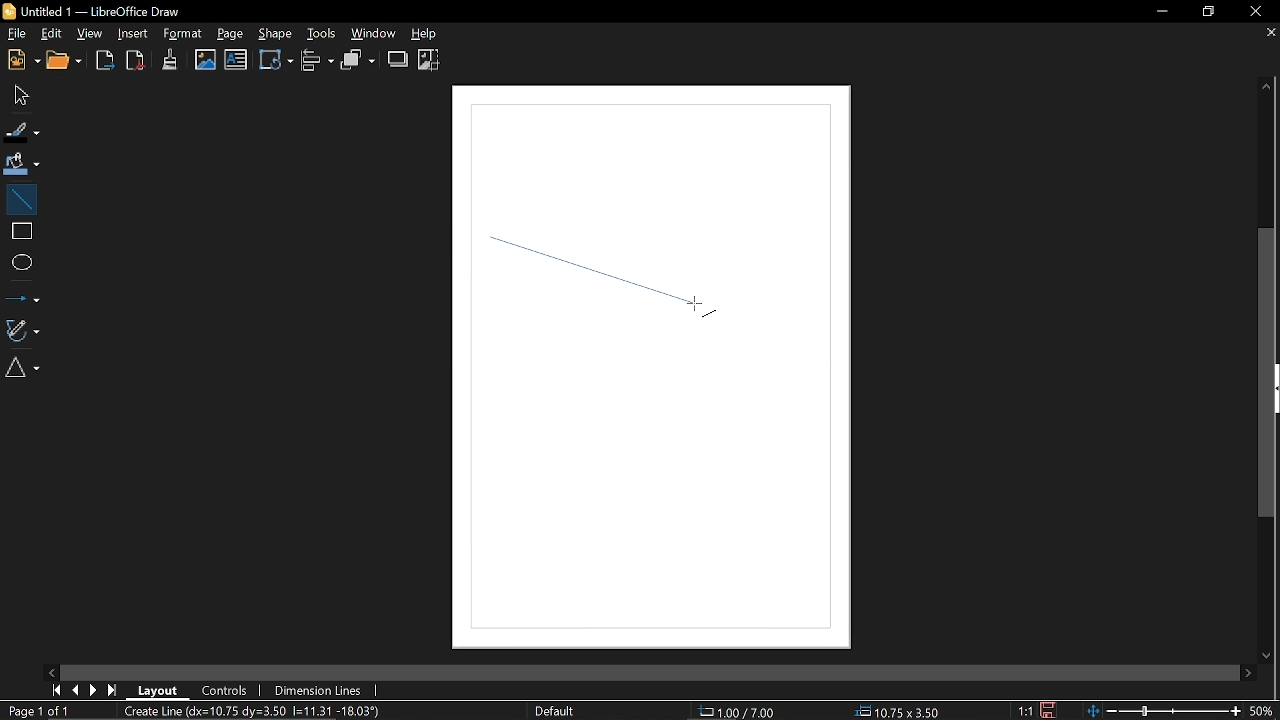 The image size is (1280, 720). Describe the element at coordinates (77, 689) in the screenshot. I see `Previous page` at that location.